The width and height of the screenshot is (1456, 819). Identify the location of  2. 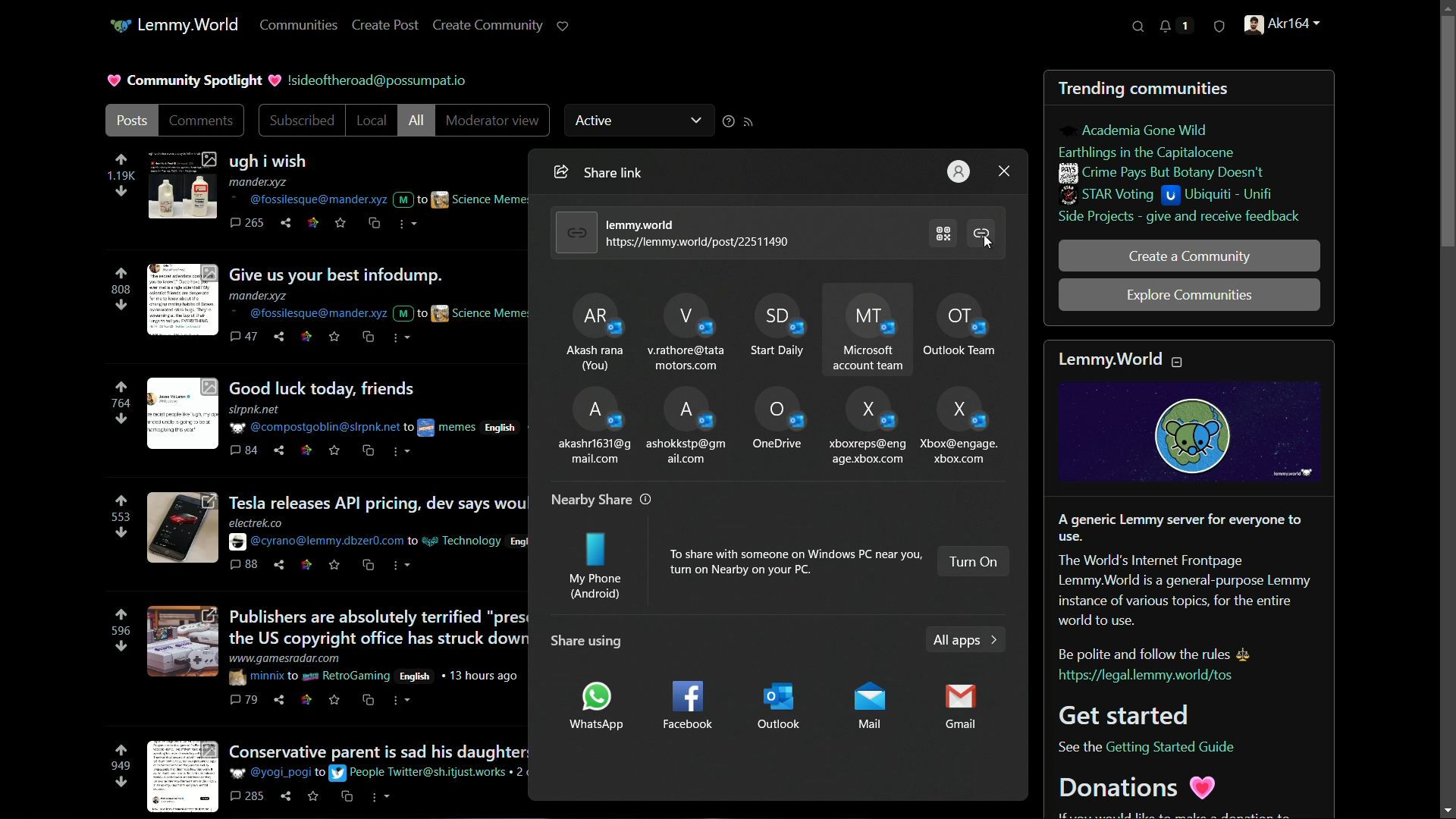
(521, 776).